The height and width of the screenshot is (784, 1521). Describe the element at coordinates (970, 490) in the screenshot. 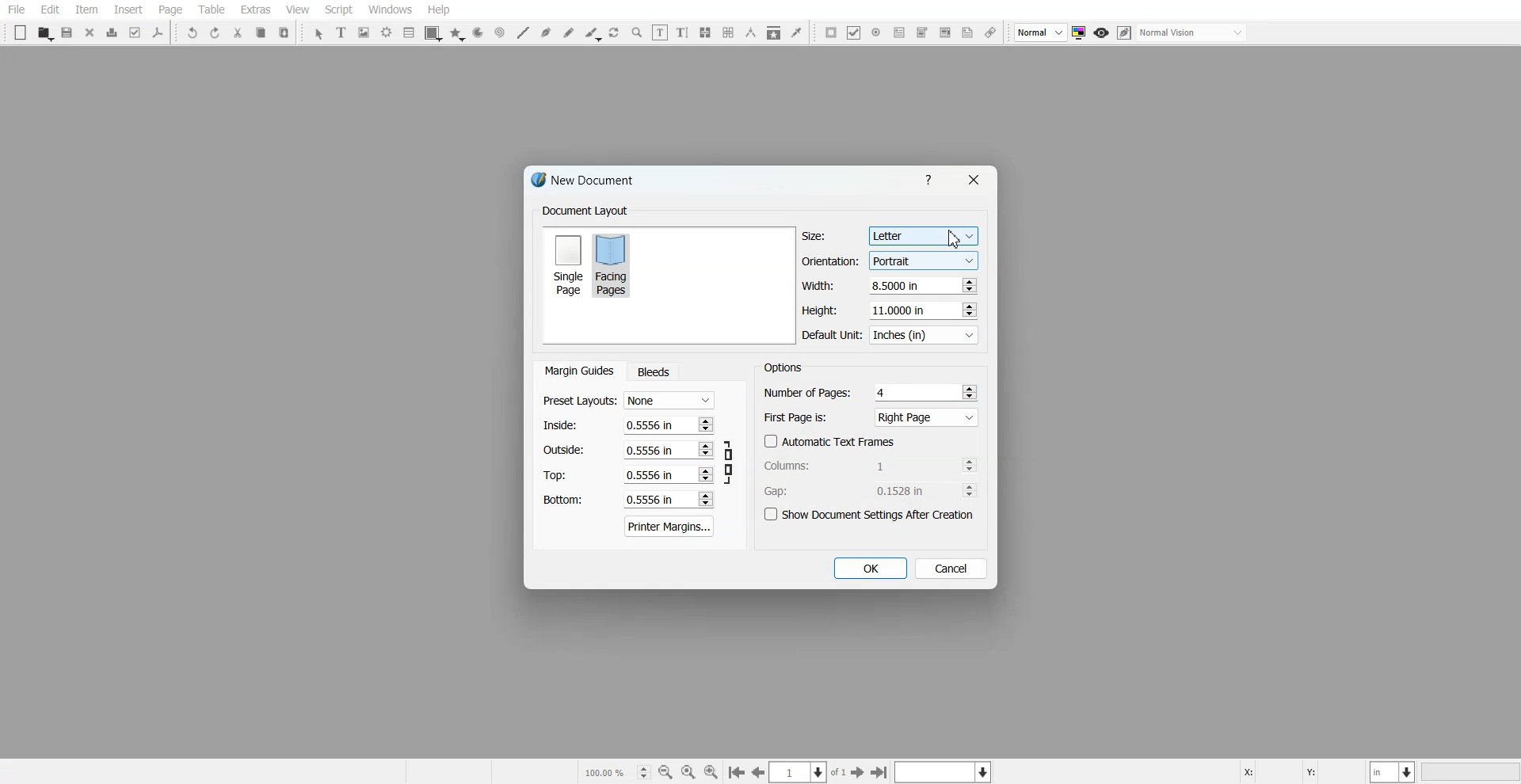

I see `Increase and decrease No. ` at that location.